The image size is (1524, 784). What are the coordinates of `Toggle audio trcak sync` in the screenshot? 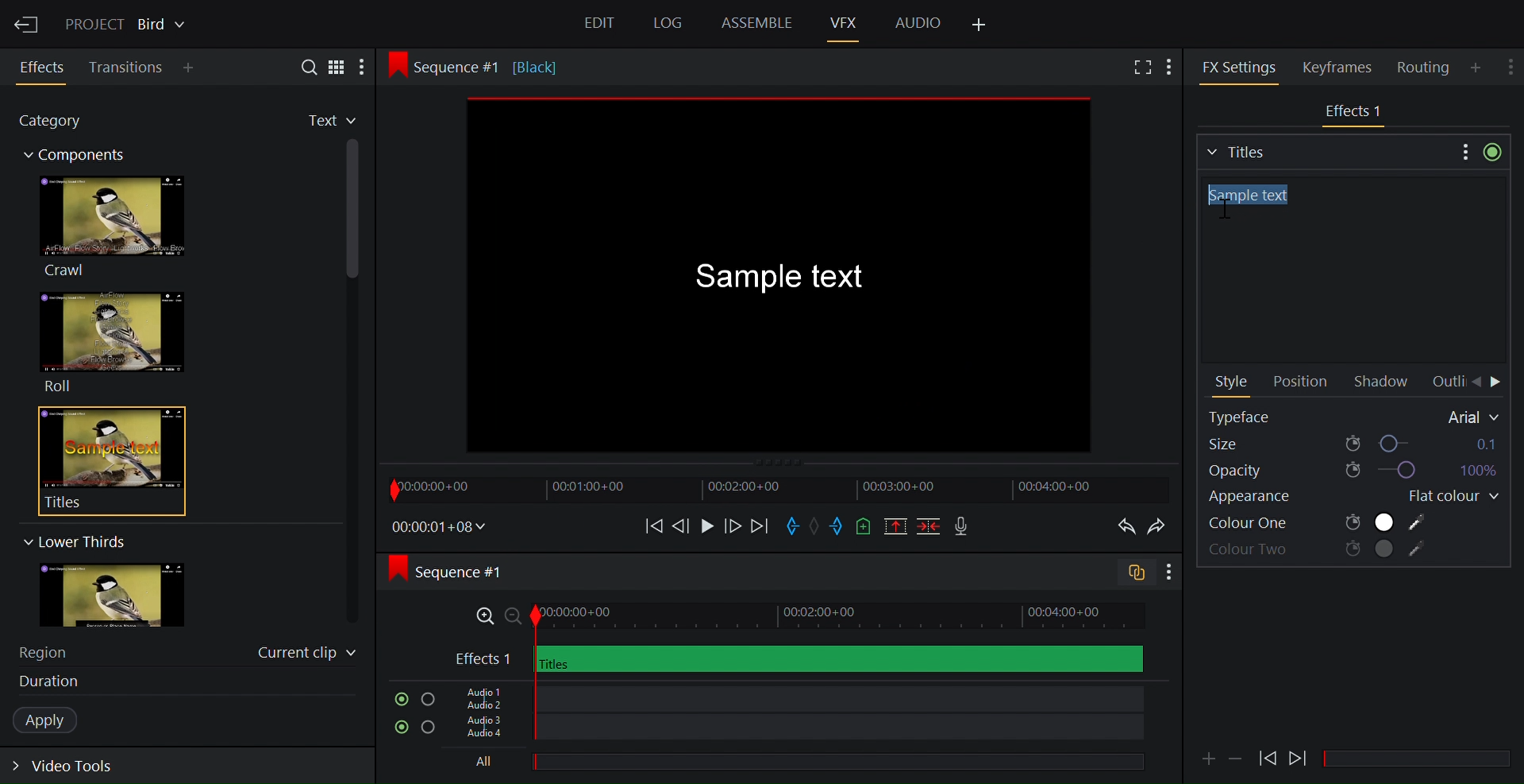 It's located at (1130, 575).